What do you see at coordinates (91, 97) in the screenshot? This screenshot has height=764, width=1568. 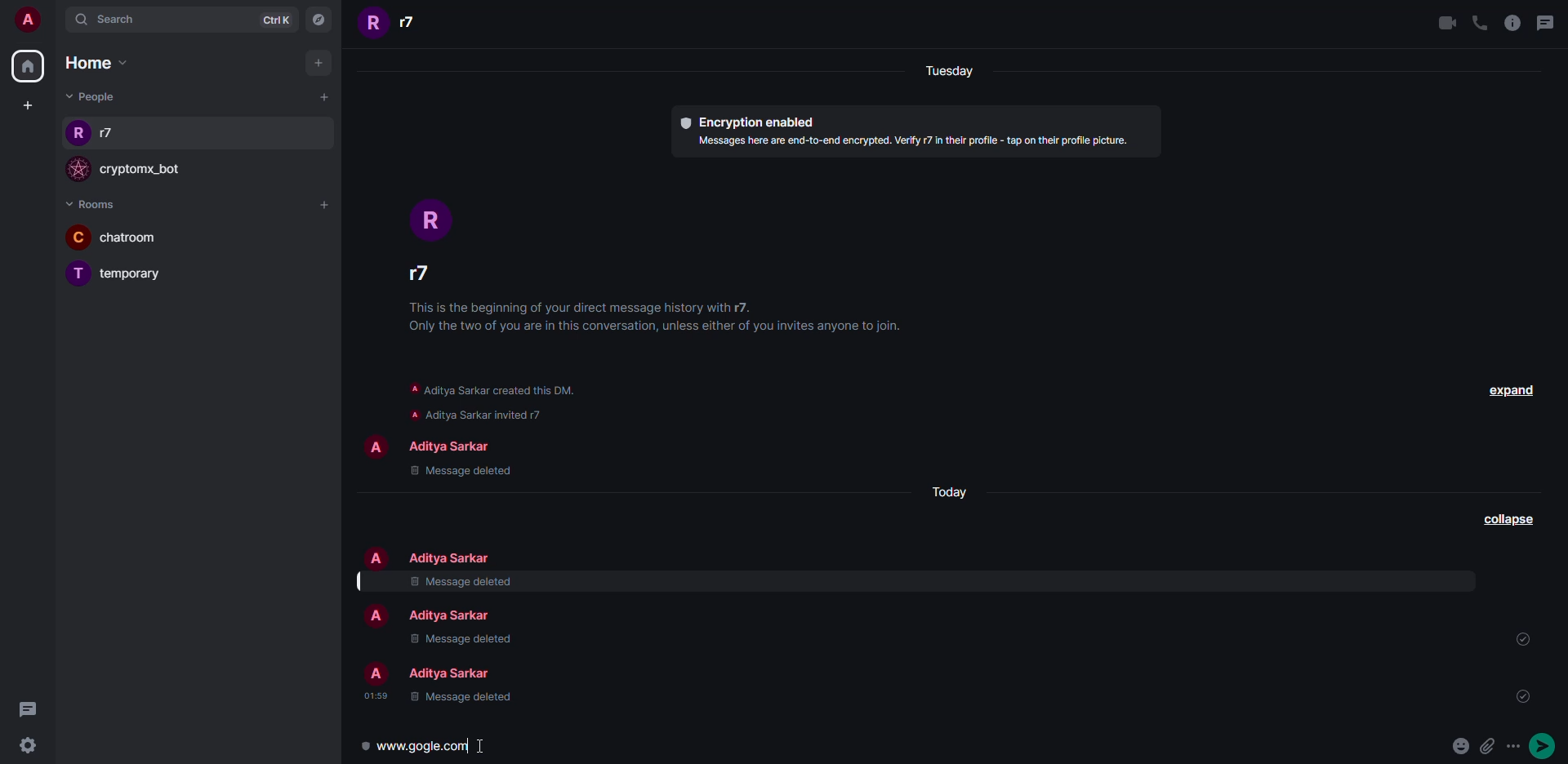 I see `people` at bounding box center [91, 97].